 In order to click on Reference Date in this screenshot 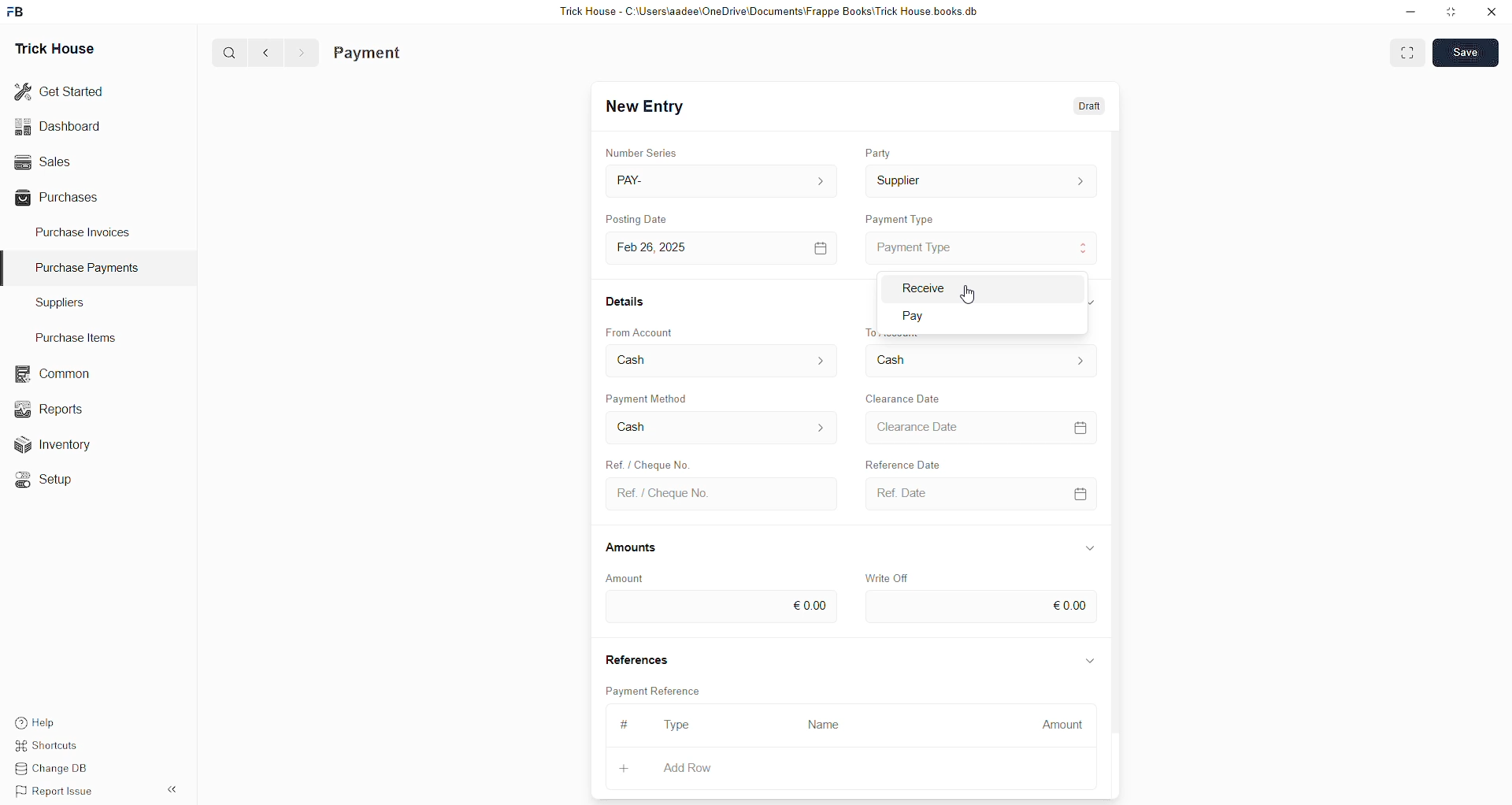, I will do `click(921, 465)`.